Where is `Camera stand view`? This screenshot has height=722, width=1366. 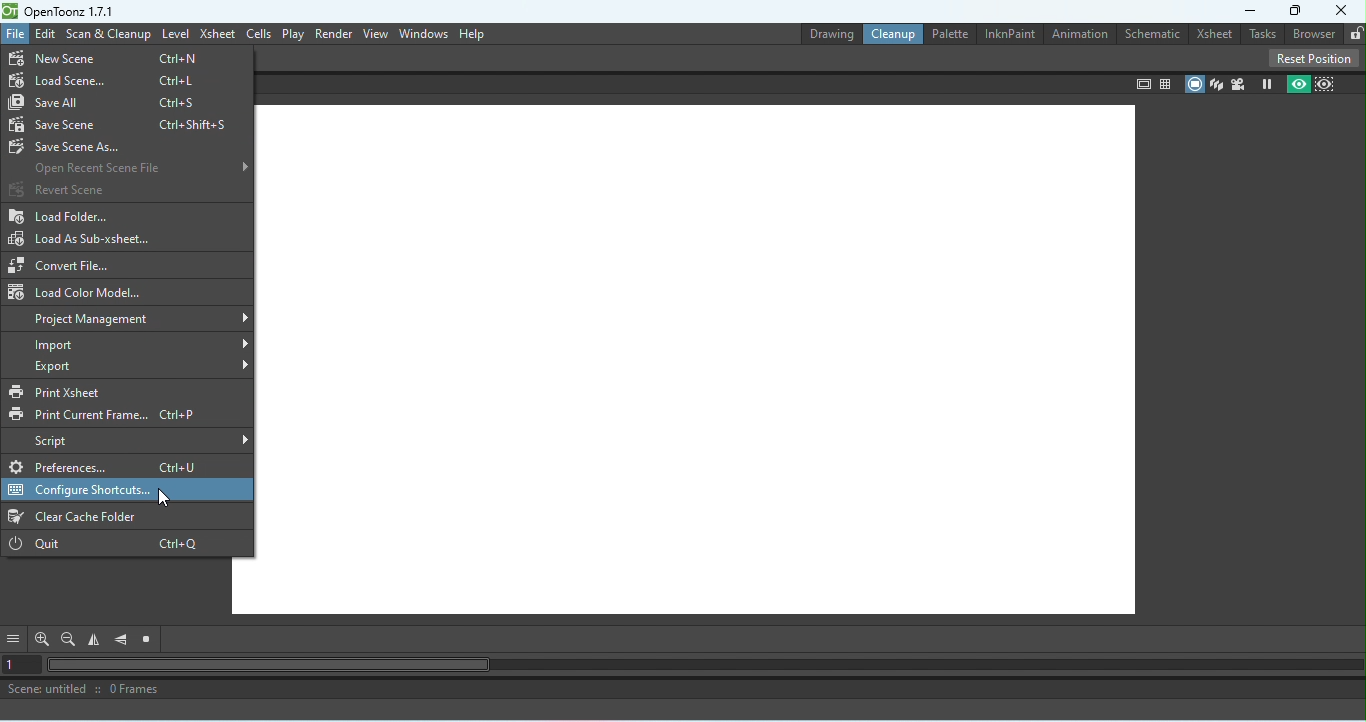 Camera stand view is located at coordinates (1193, 82).